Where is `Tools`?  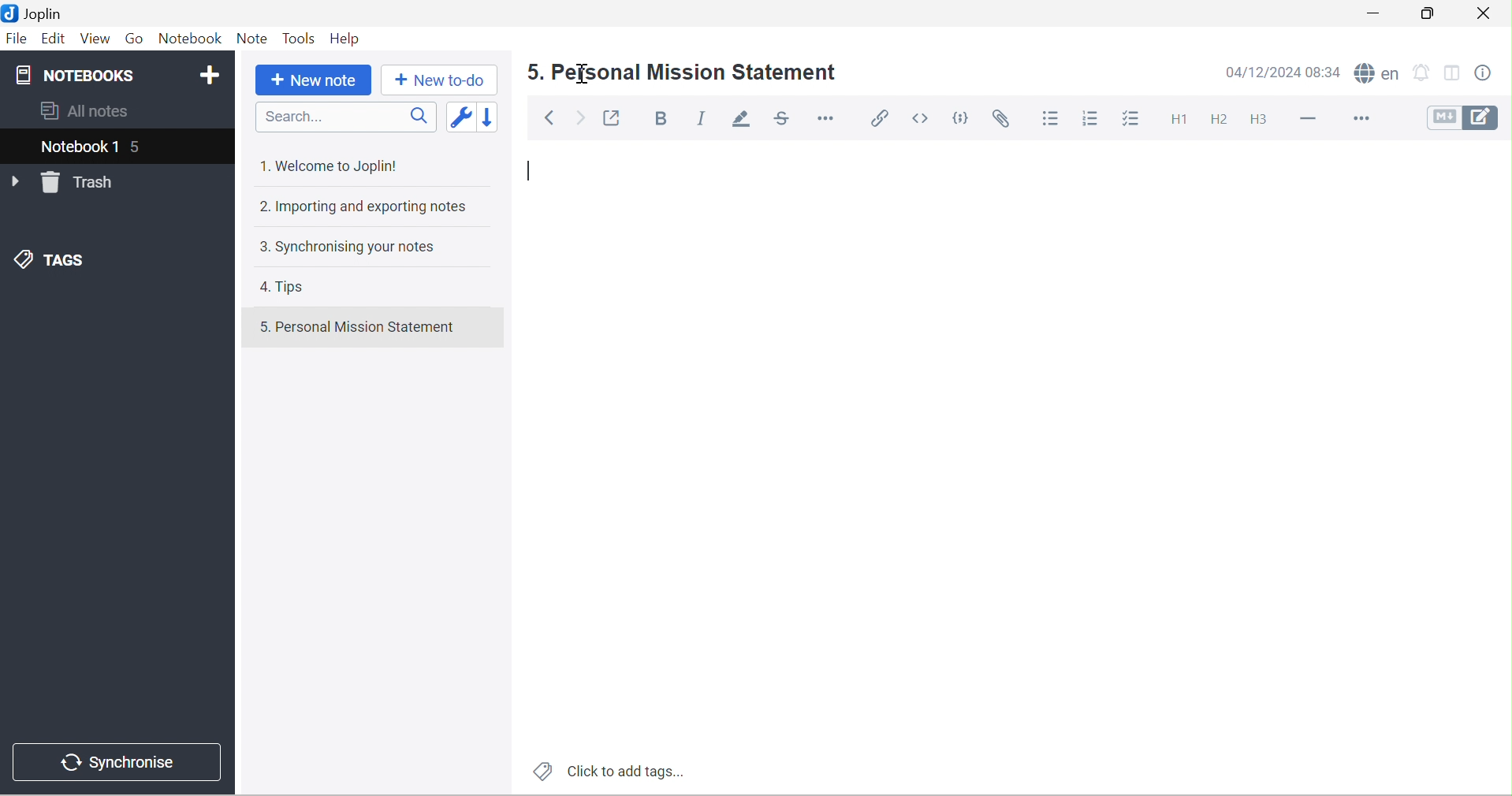 Tools is located at coordinates (300, 38).